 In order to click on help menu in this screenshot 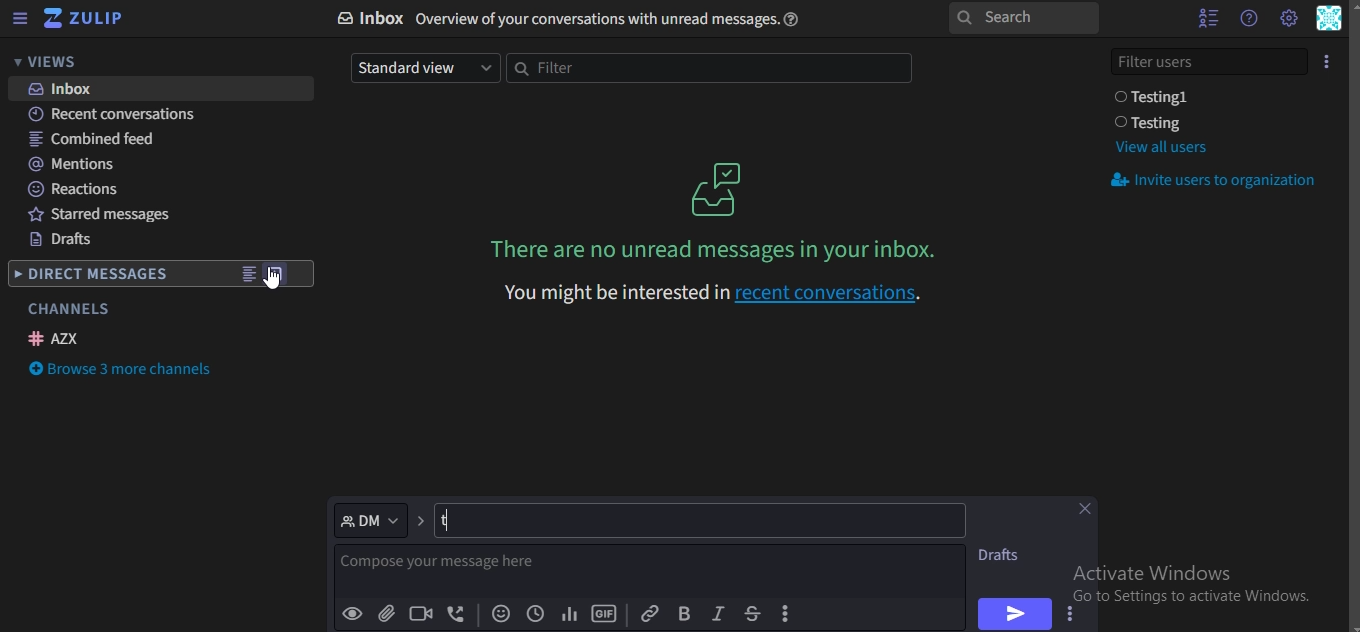, I will do `click(1248, 18)`.